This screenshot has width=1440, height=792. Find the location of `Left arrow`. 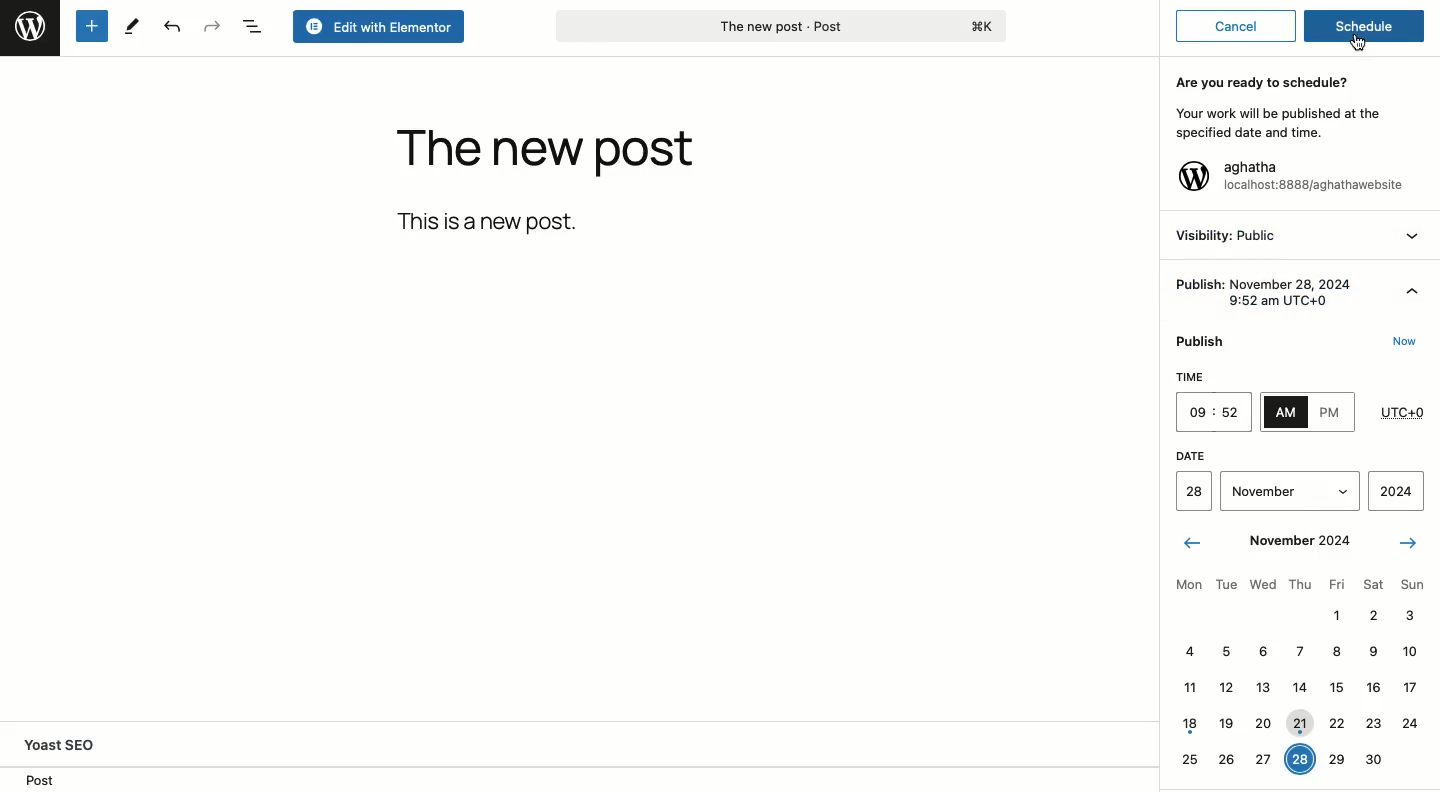

Left arrow is located at coordinates (1193, 543).